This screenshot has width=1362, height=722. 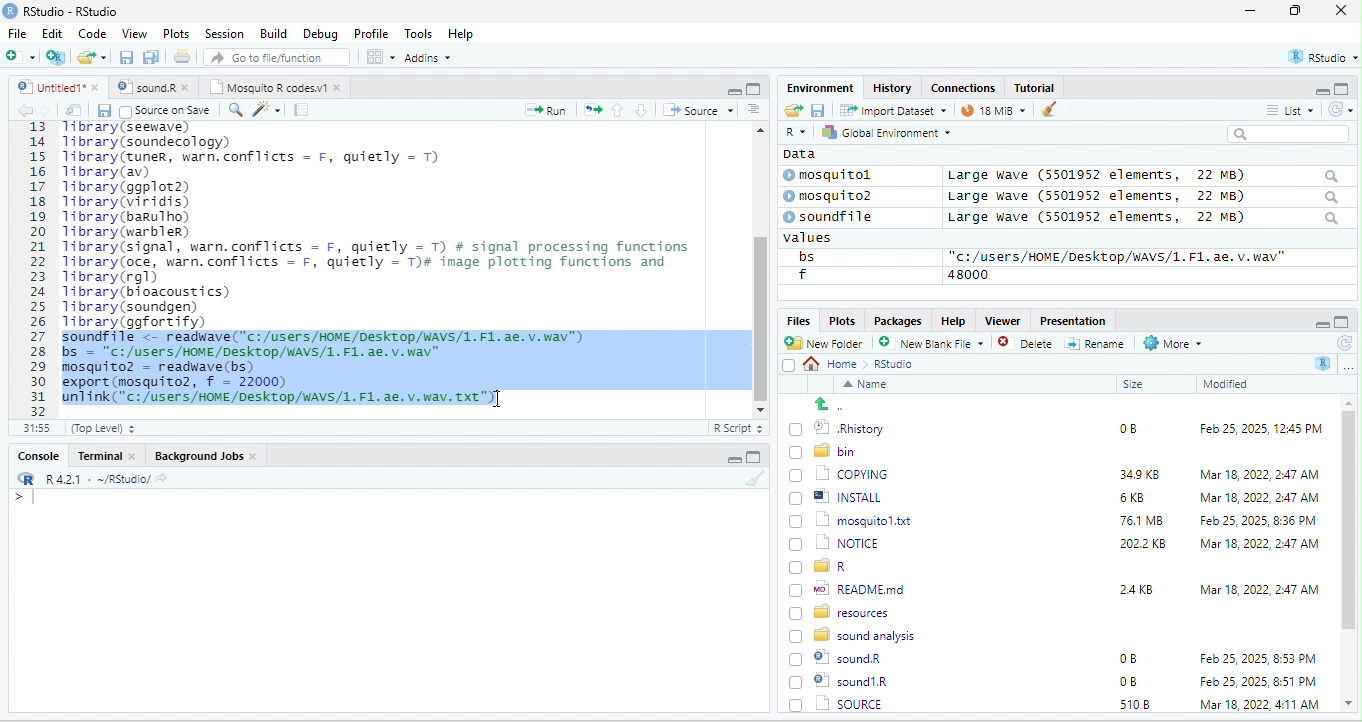 What do you see at coordinates (849, 703) in the screenshot?
I see `Uninstall.exe` at bounding box center [849, 703].